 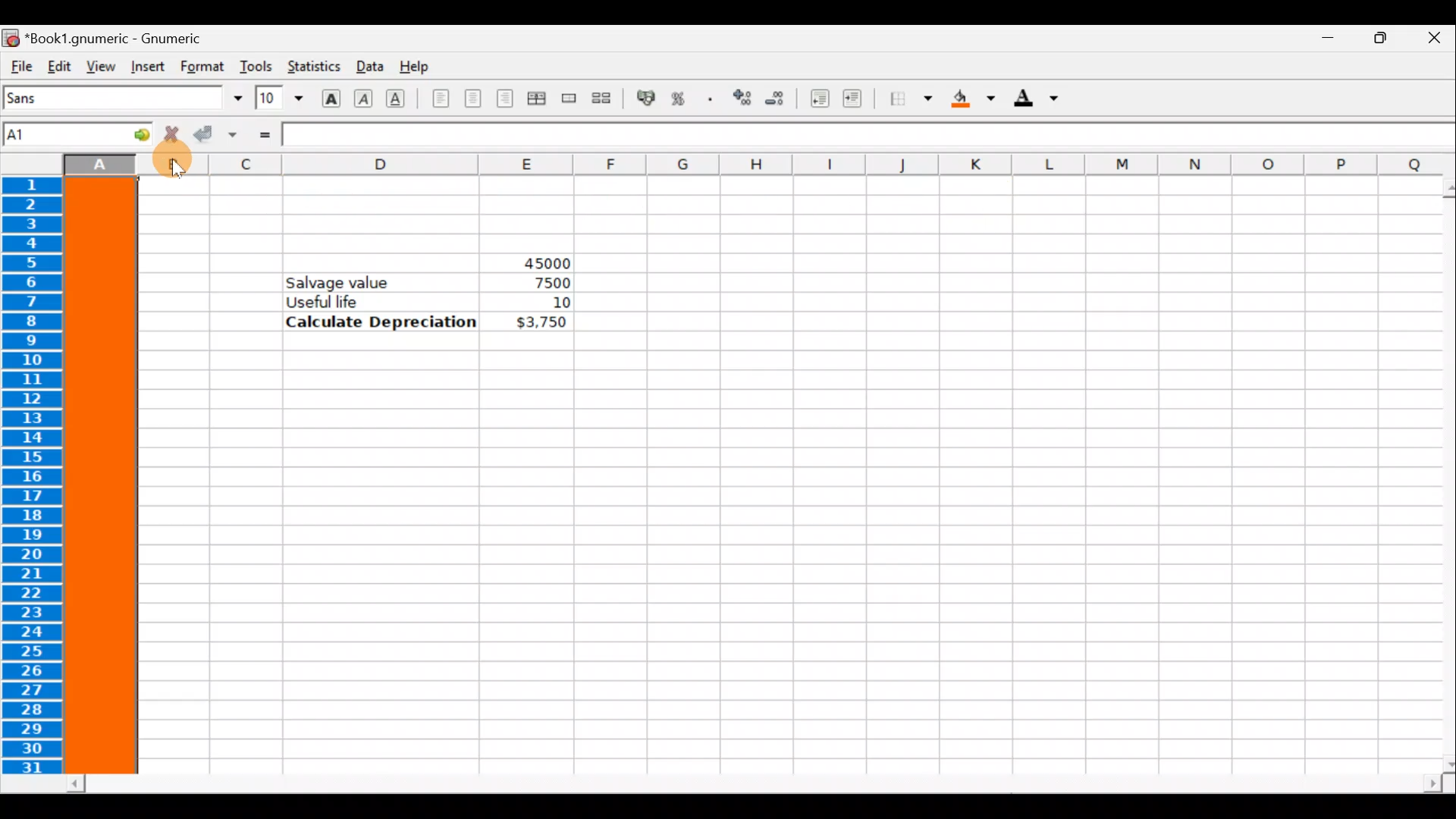 What do you see at coordinates (472, 103) in the screenshot?
I see `Centre horizontally` at bounding box center [472, 103].